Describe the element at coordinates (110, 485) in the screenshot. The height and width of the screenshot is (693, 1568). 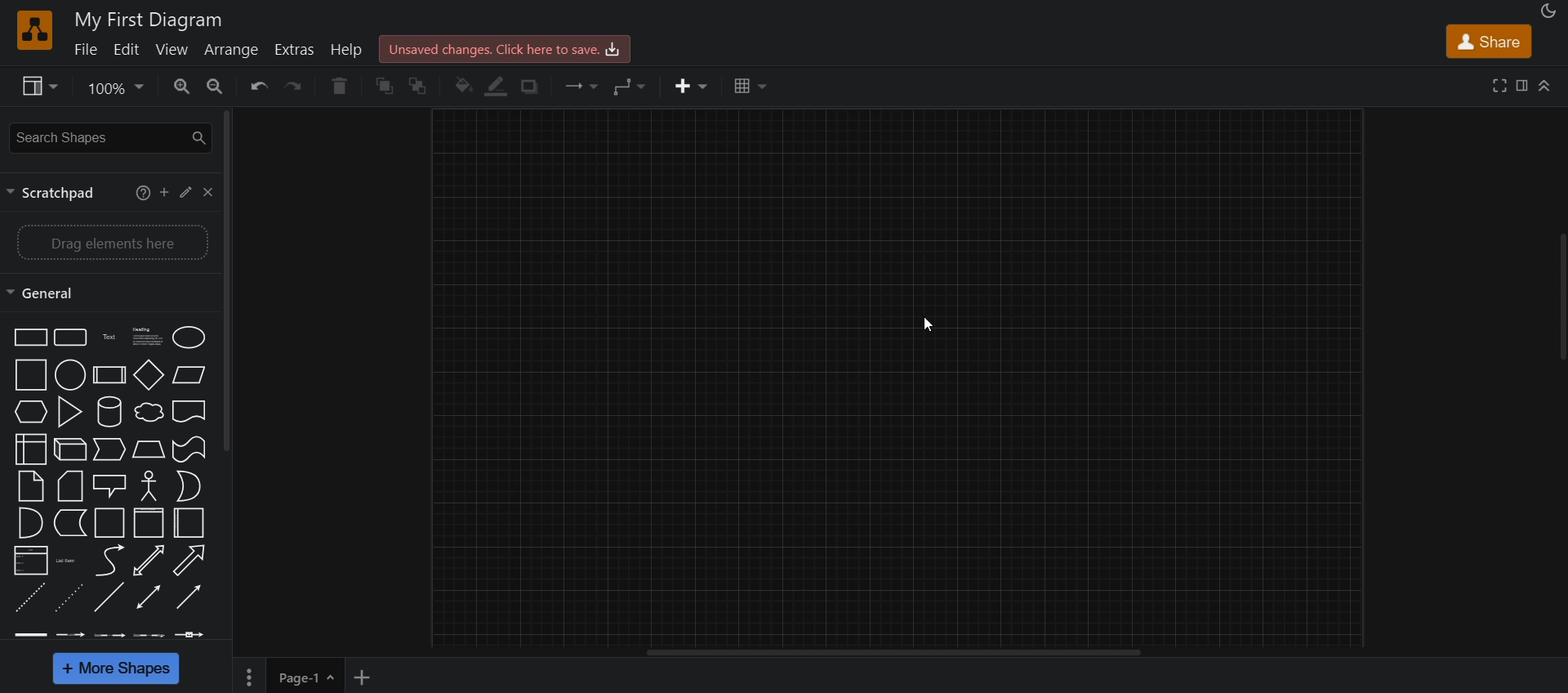
I see `shapes` at that location.